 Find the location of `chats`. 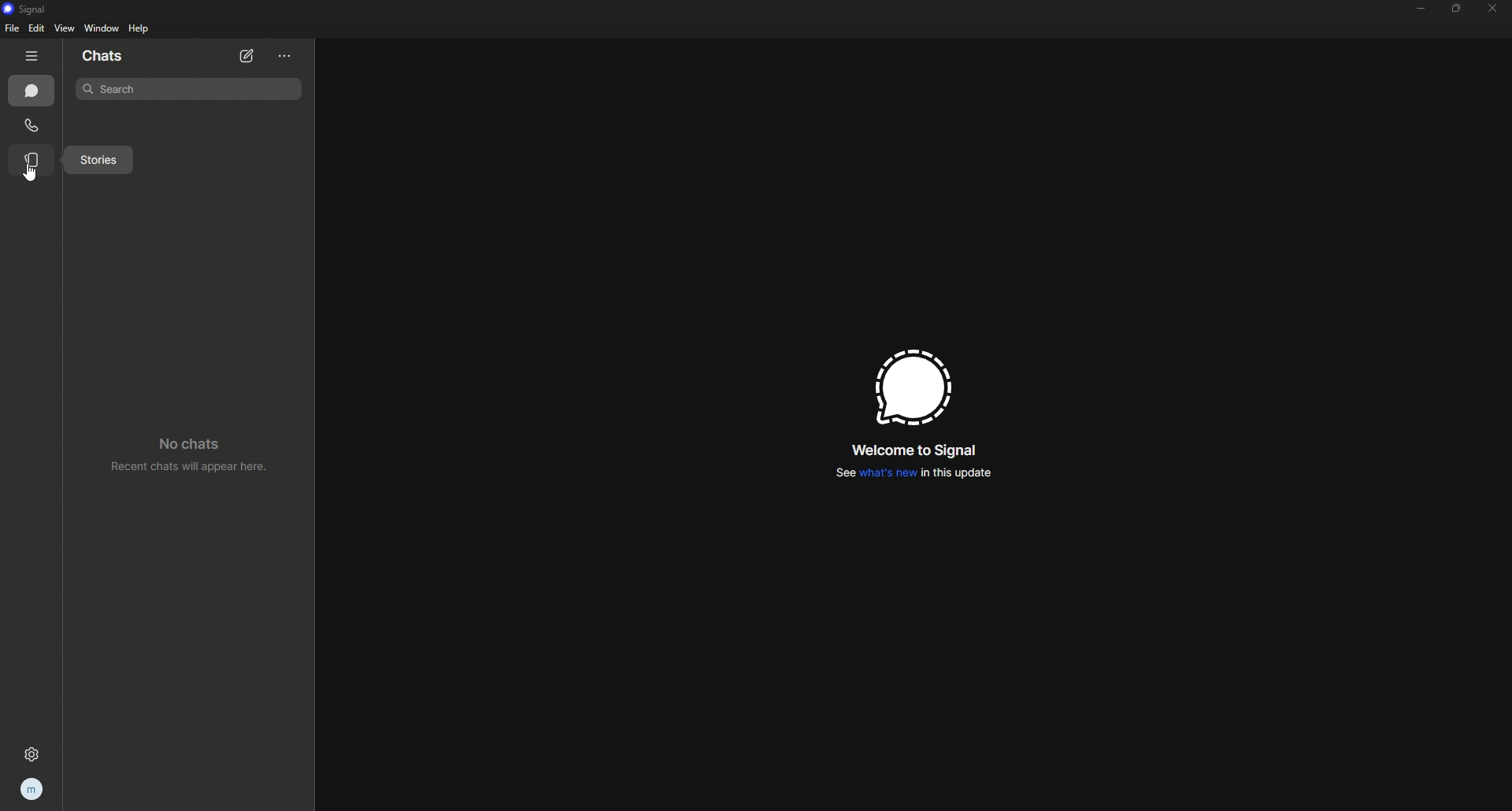

chats is located at coordinates (117, 56).